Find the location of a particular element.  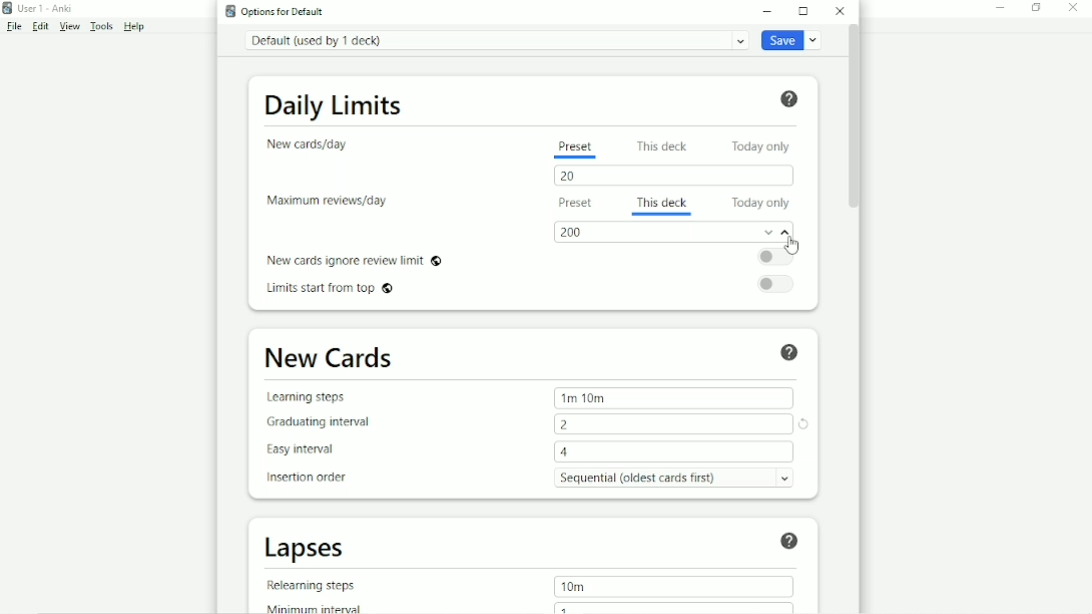

Sequential (oldest cards first) is located at coordinates (680, 477).